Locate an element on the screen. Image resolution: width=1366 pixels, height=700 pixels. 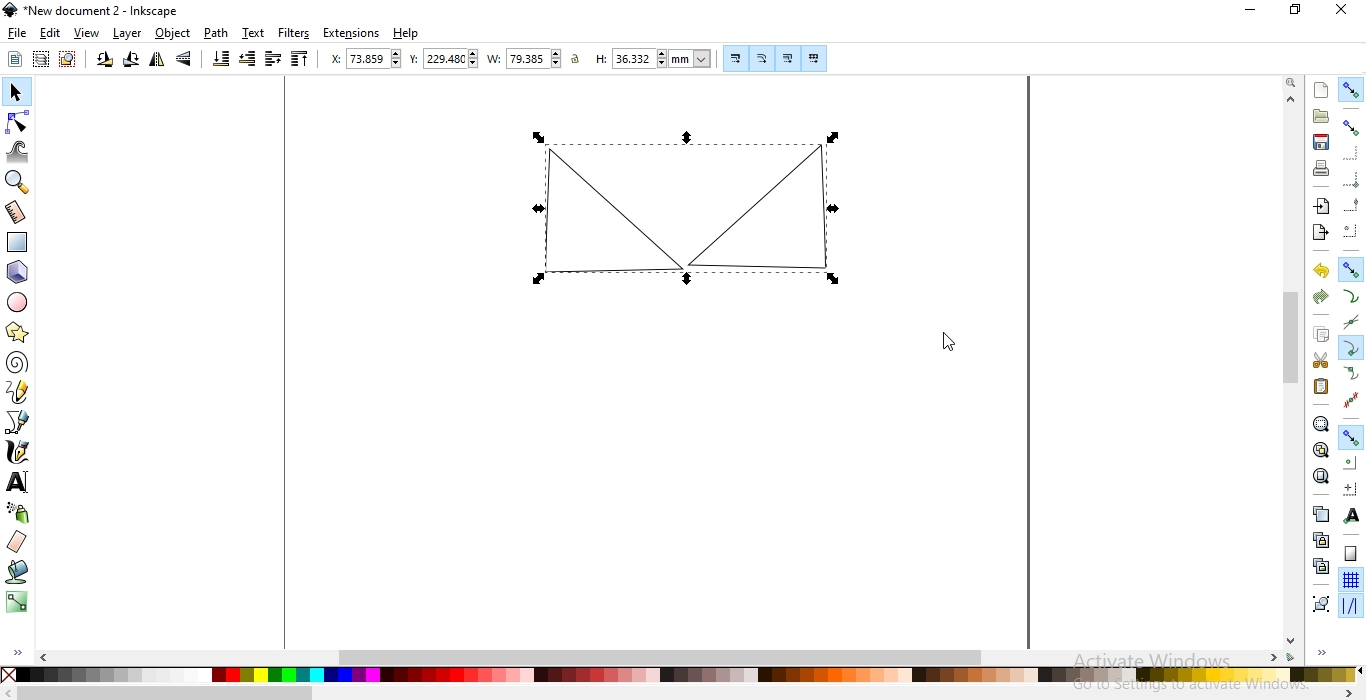
horizontal coordinate of selection is located at coordinates (359, 58).